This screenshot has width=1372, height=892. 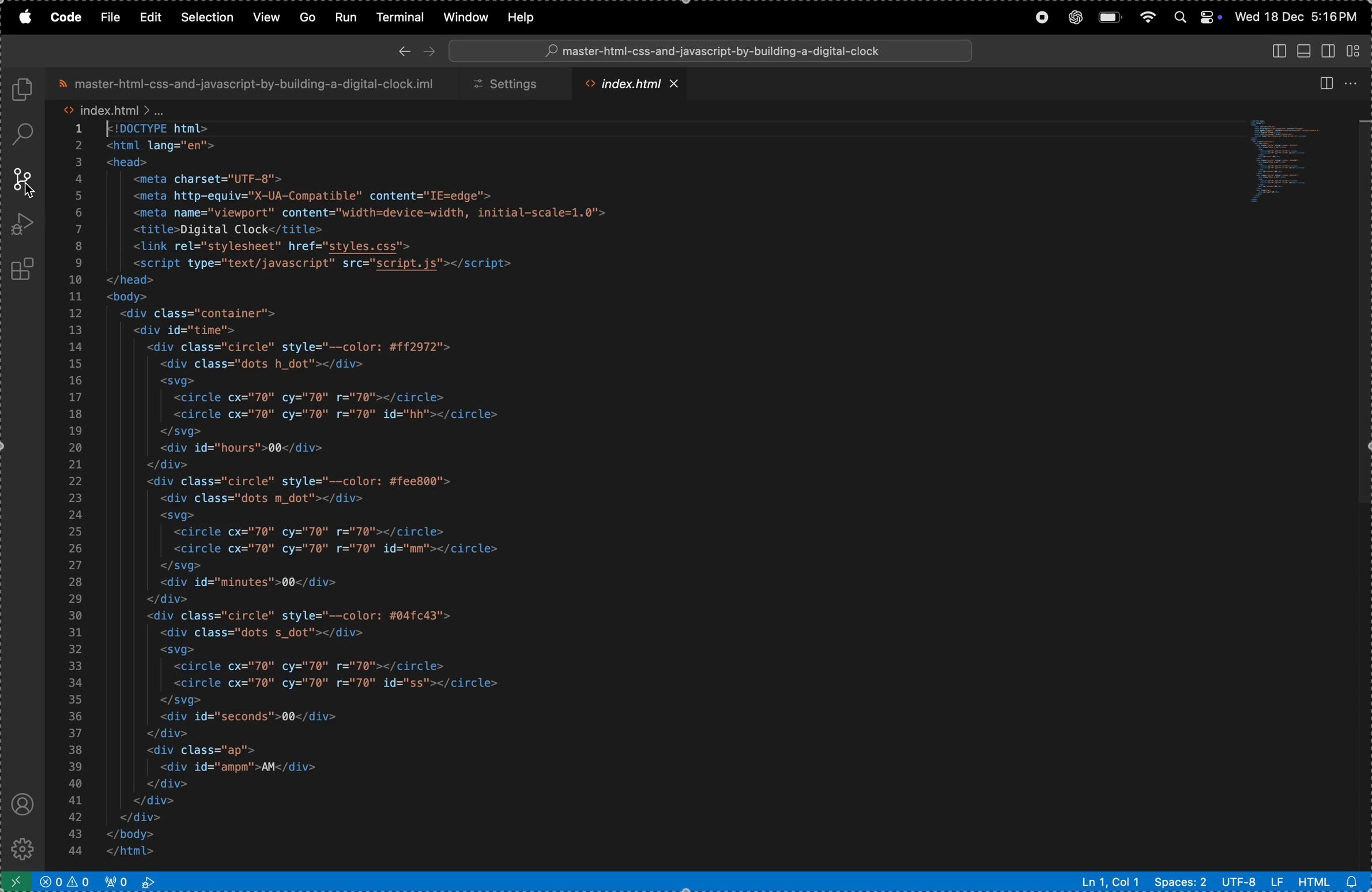 What do you see at coordinates (206, 751) in the screenshot?
I see `<div class="ap">` at bounding box center [206, 751].